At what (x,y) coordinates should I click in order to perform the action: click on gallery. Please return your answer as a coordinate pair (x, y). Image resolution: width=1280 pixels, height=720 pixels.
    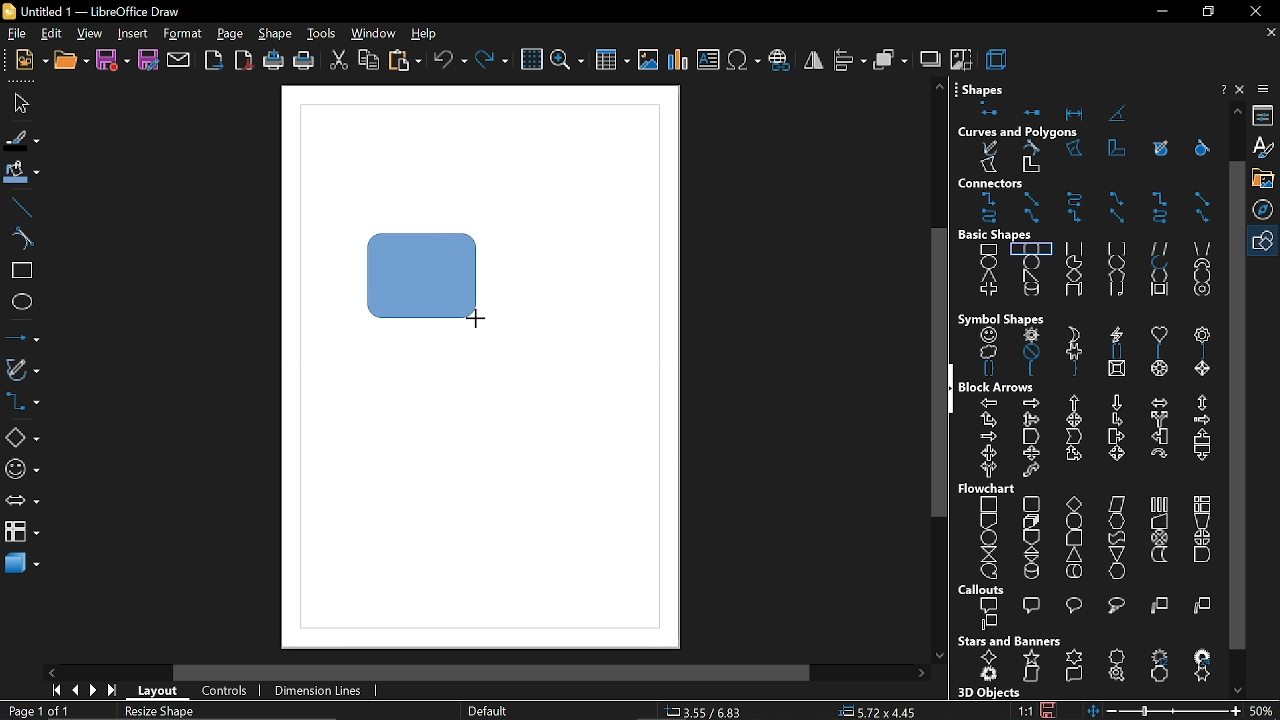
    Looking at the image, I should click on (1266, 179).